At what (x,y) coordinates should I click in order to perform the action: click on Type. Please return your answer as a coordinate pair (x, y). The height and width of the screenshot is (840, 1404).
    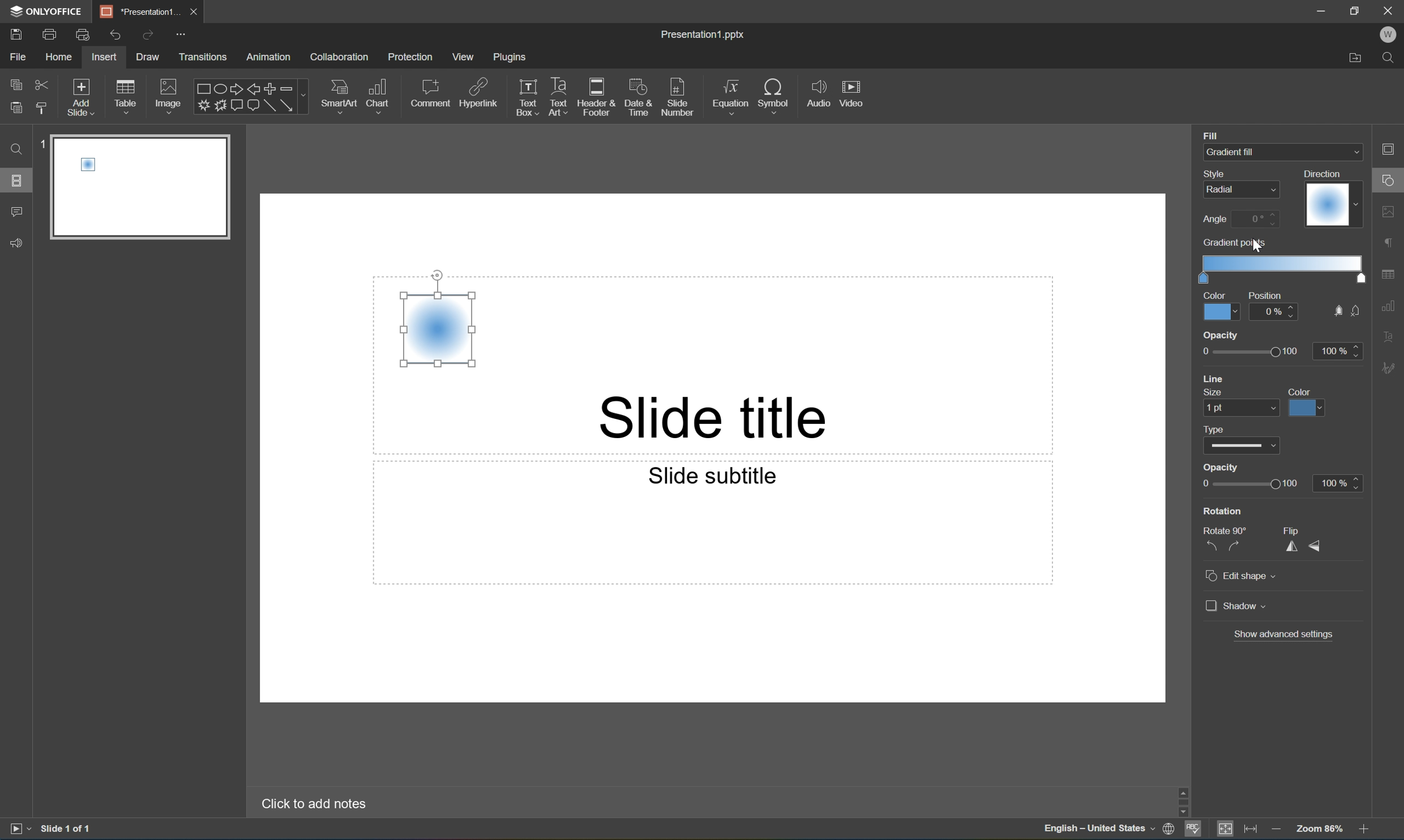
    Looking at the image, I should click on (1214, 428).